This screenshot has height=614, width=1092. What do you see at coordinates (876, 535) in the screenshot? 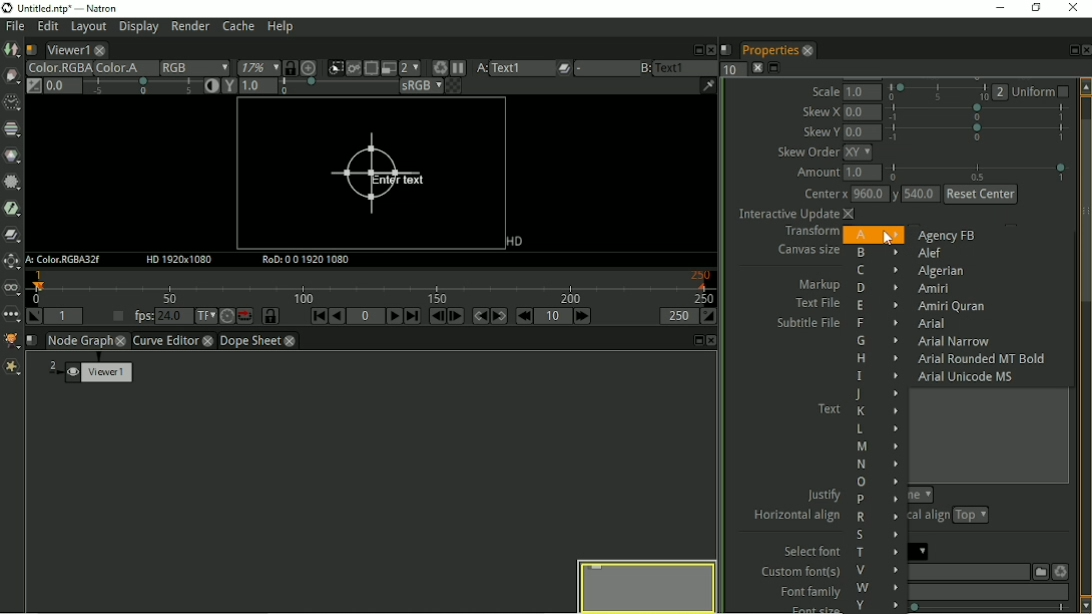
I see `S` at bounding box center [876, 535].